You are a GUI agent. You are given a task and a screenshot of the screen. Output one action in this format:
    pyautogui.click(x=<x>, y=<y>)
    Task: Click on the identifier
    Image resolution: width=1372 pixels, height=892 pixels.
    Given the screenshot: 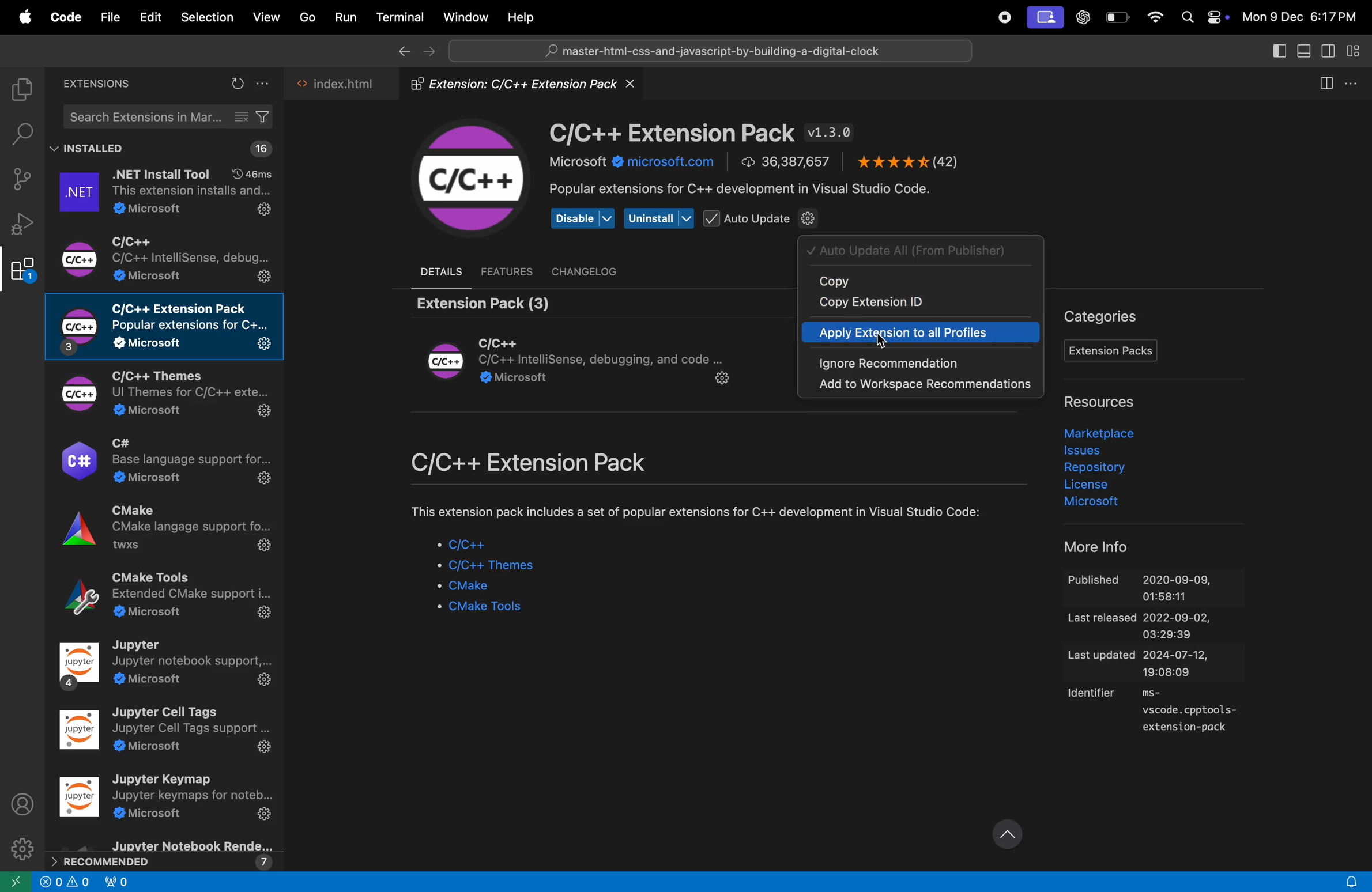 What is the action you would take?
    pyautogui.click(x=1158, y=713)
    